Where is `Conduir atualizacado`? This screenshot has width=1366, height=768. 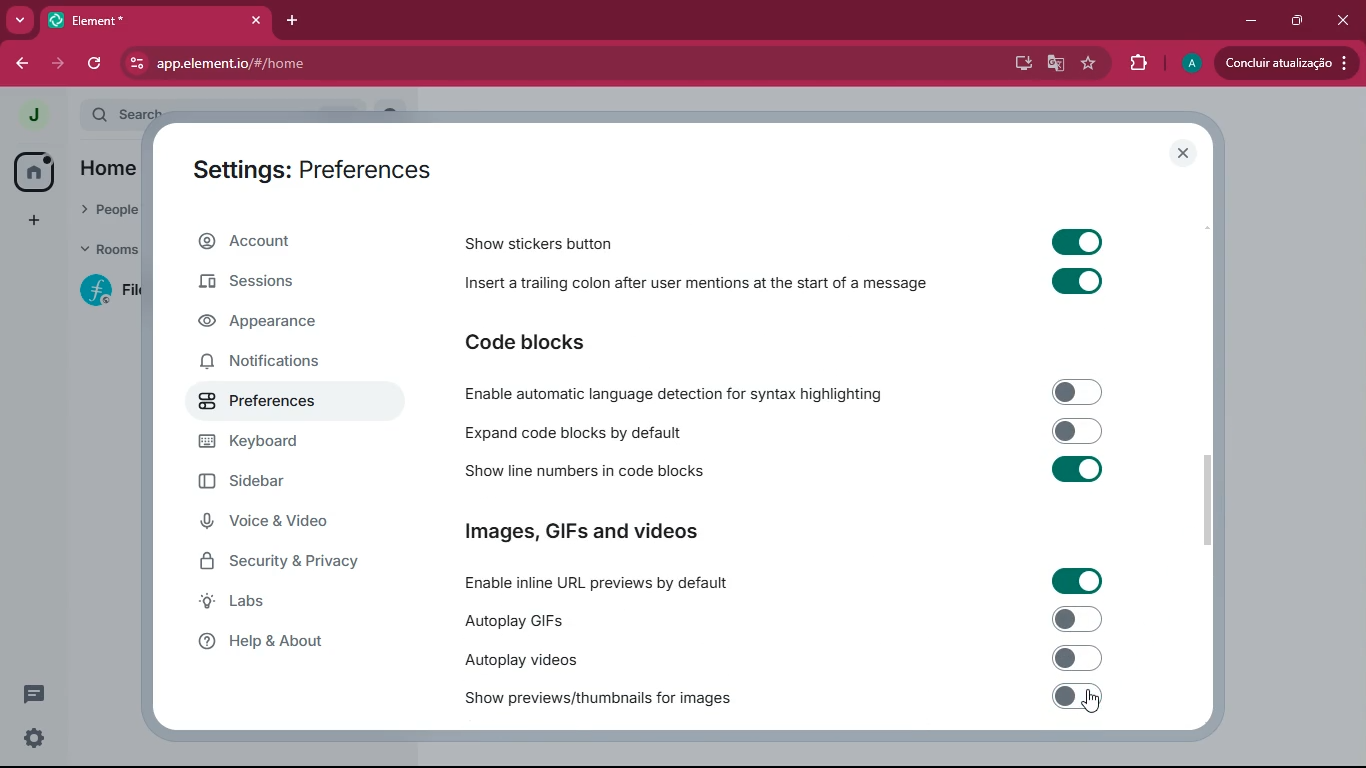
Conduir atualizacado is located at coordinates (1284, 63).